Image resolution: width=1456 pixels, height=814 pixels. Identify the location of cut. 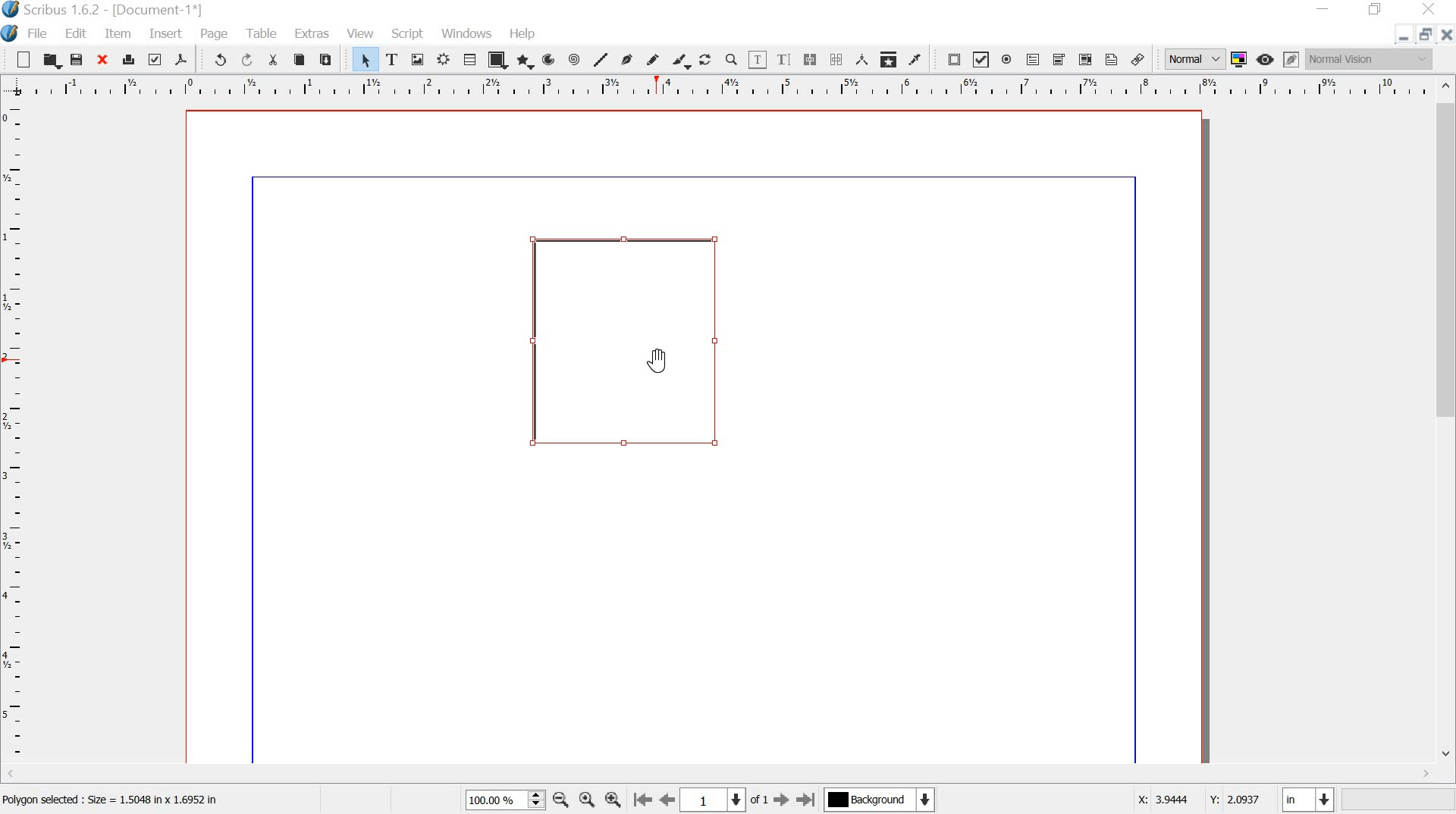
(272, 59).